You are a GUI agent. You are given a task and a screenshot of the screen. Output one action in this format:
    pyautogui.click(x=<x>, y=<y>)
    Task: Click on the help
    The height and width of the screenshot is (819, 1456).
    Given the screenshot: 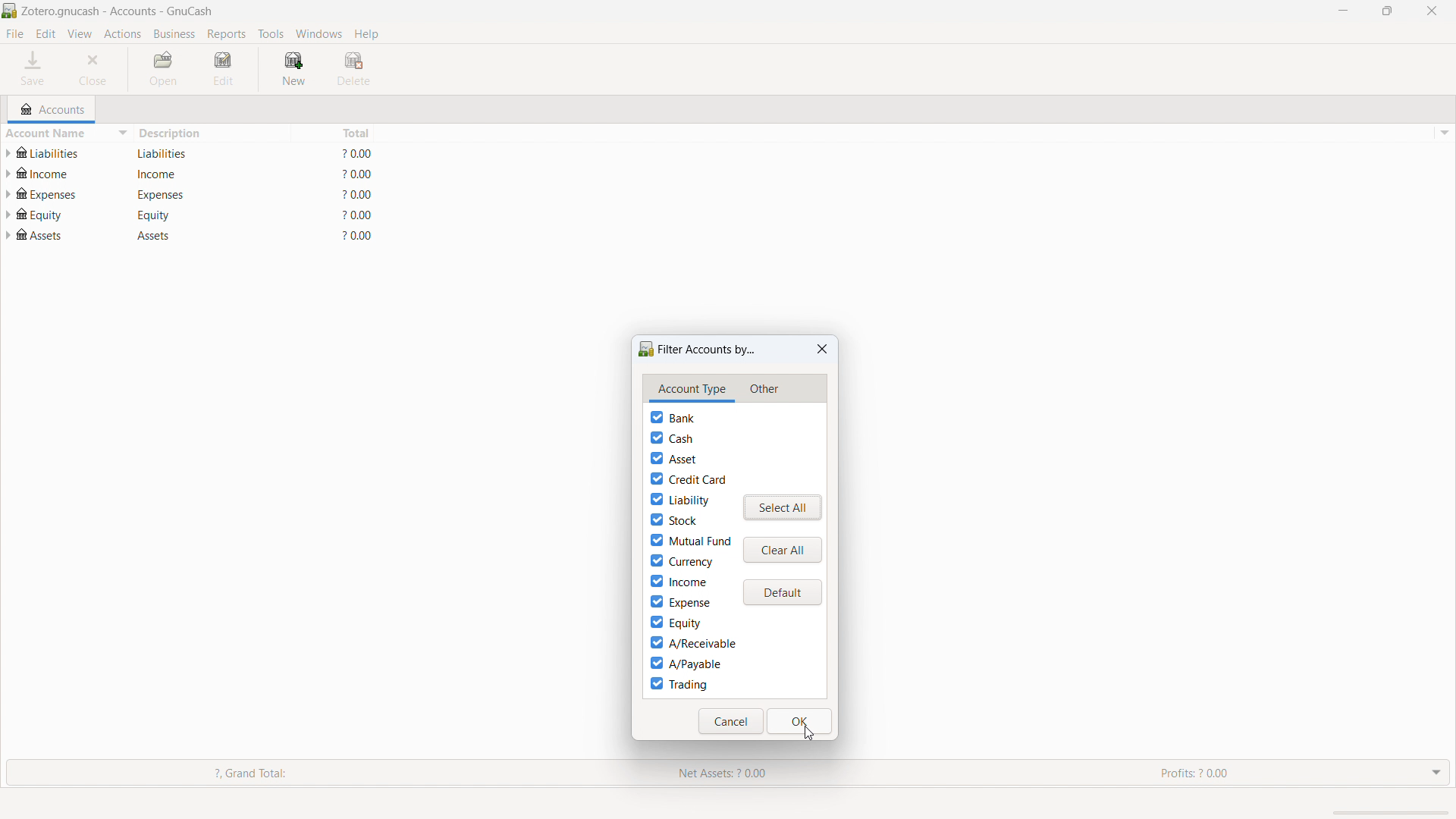 What is the action you would take?
    pyautogui.click(x=368, y=33)
    